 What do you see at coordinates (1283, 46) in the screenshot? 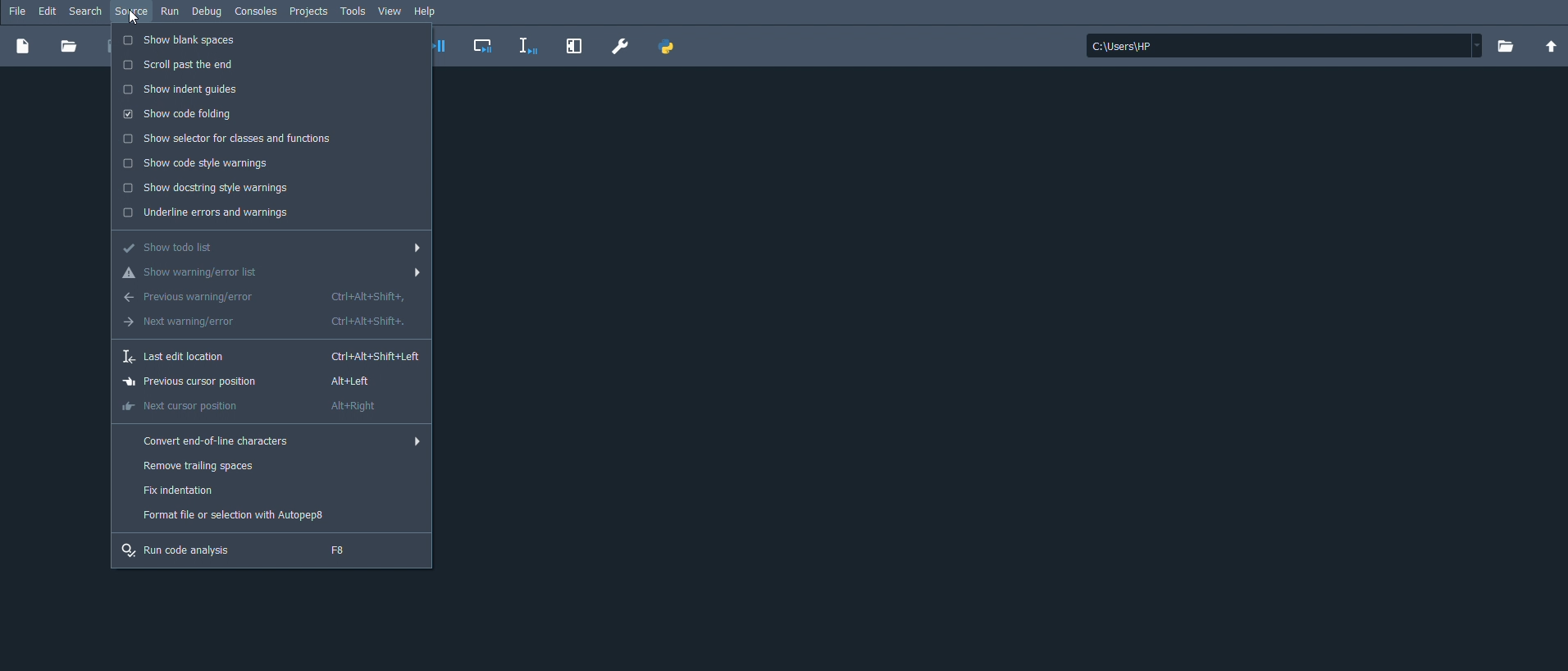
I see `File location` at bounding box center [1283, 46].